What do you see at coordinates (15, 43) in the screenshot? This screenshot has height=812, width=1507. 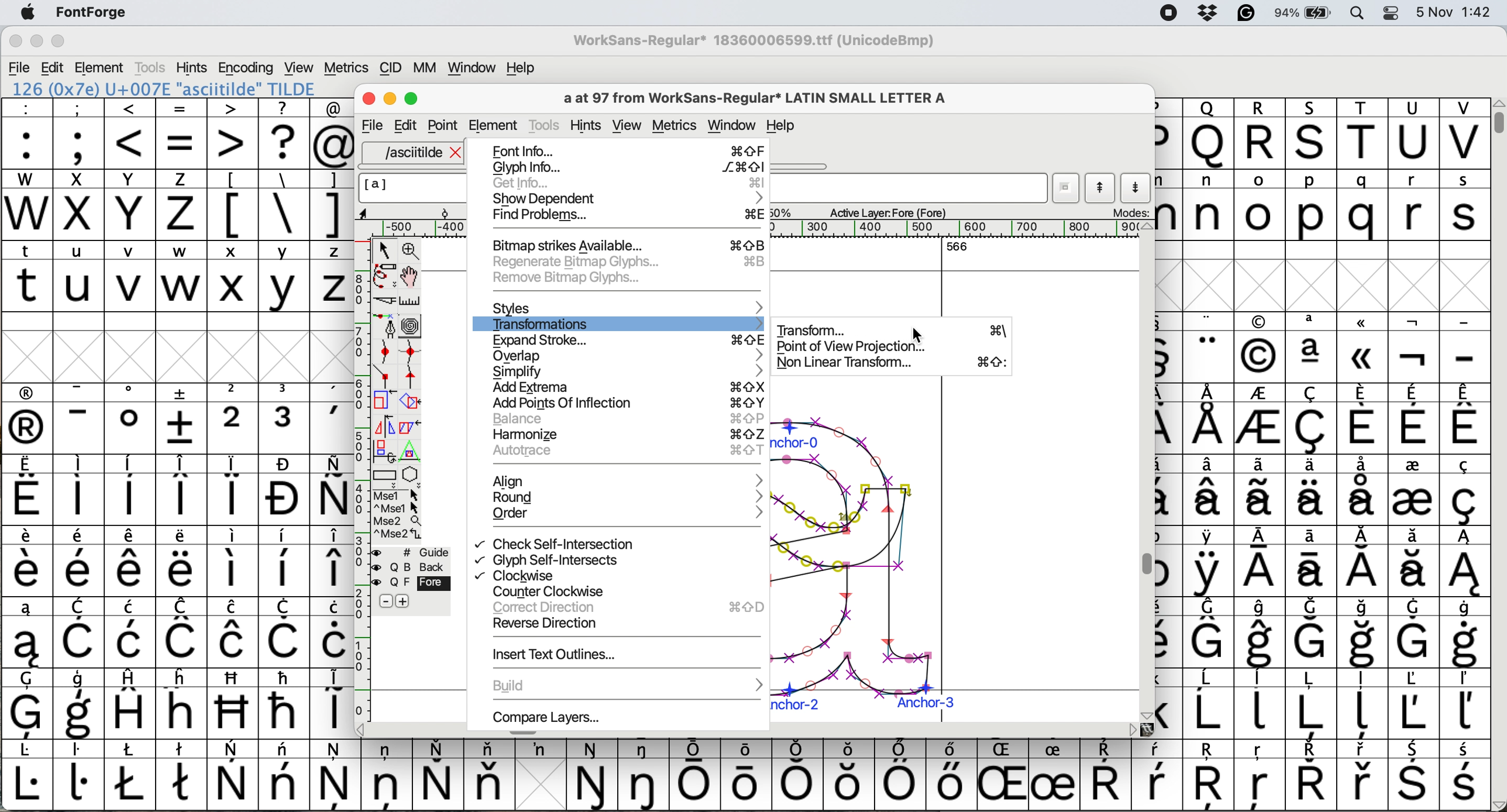 I see `close` at bounding box center [15, 43].